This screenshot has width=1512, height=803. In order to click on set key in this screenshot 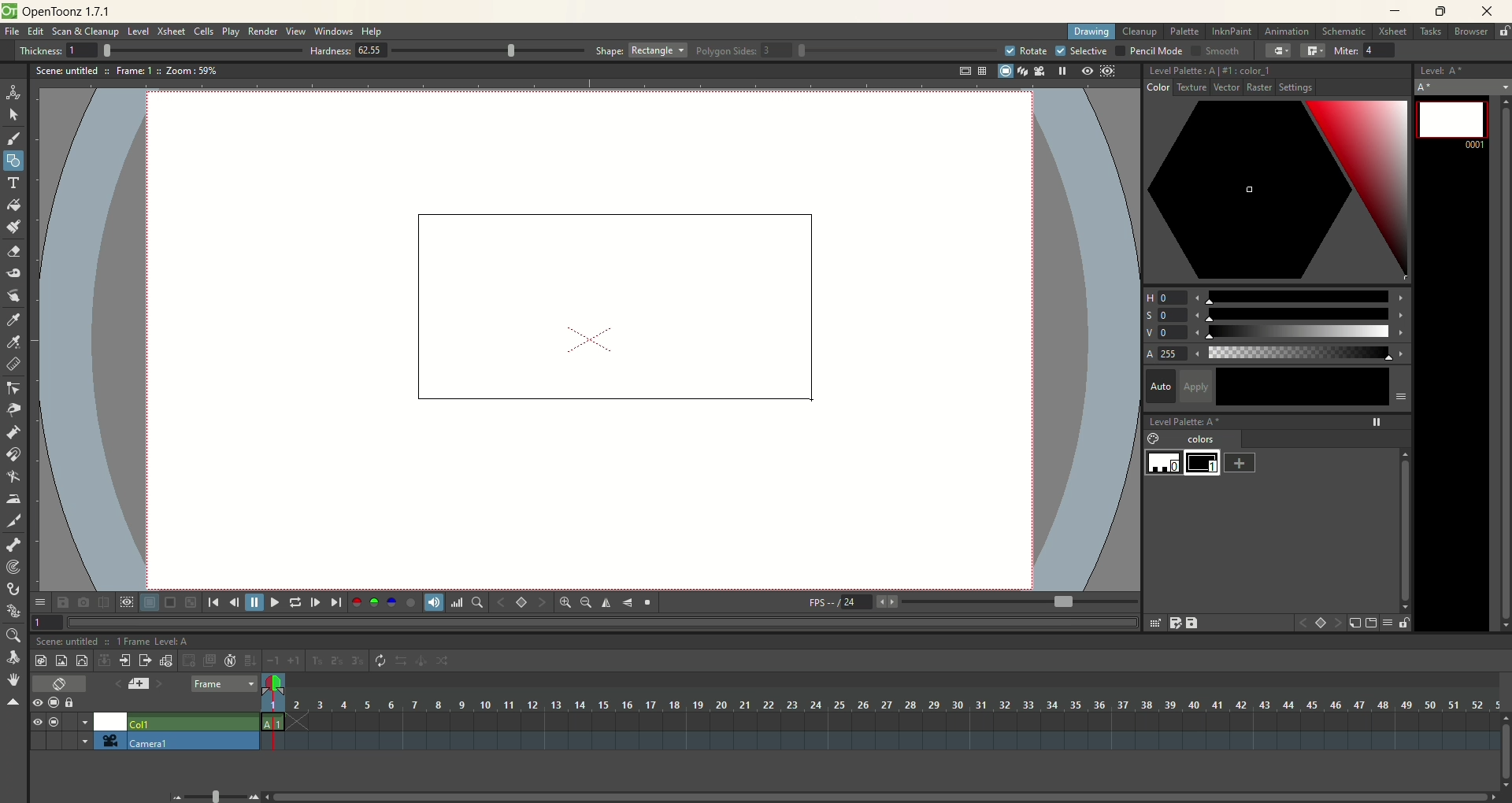, I will do `click(1322, 624)`.